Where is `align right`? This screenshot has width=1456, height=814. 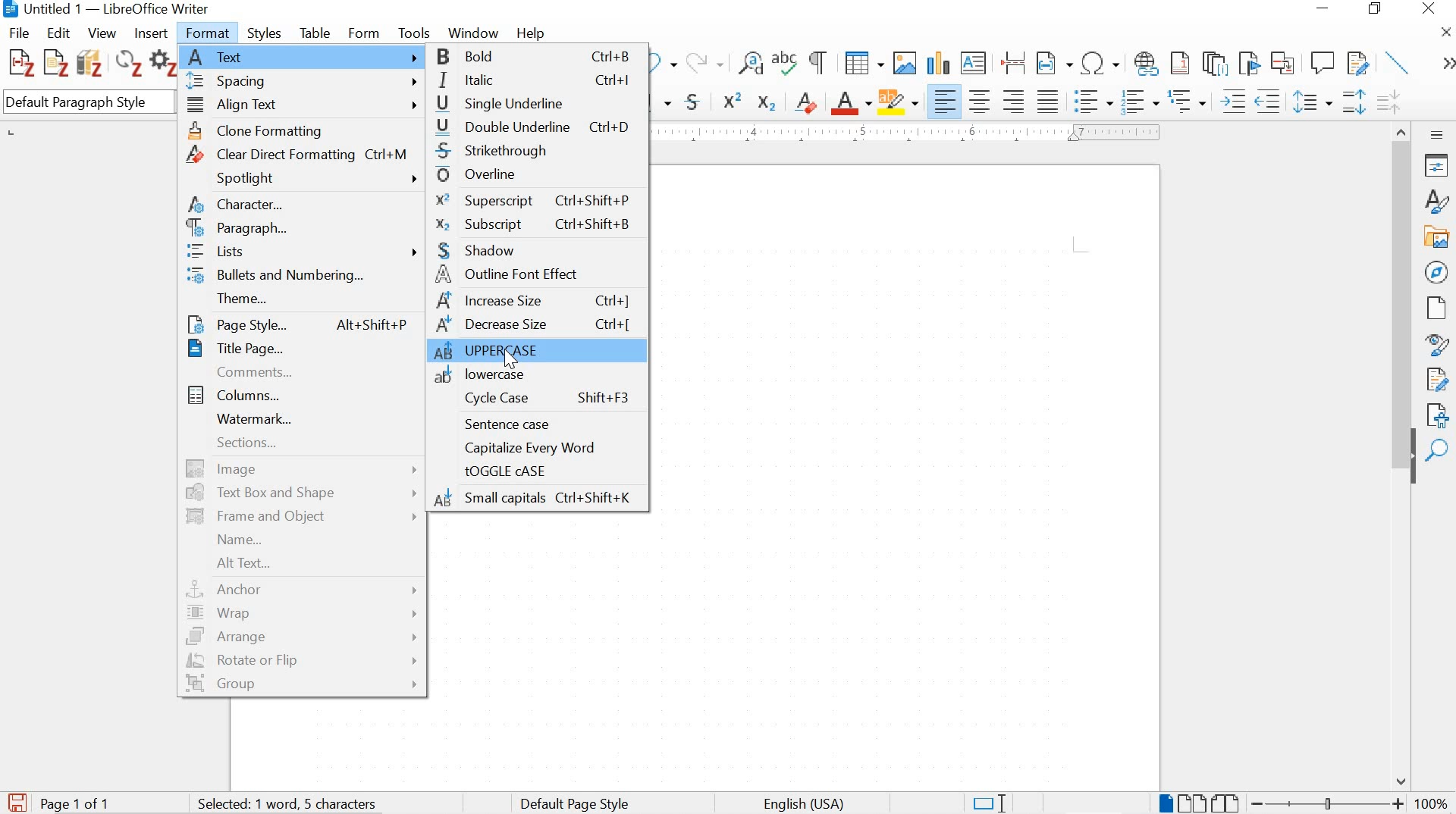
align right is located at coordinates (1016, 101).